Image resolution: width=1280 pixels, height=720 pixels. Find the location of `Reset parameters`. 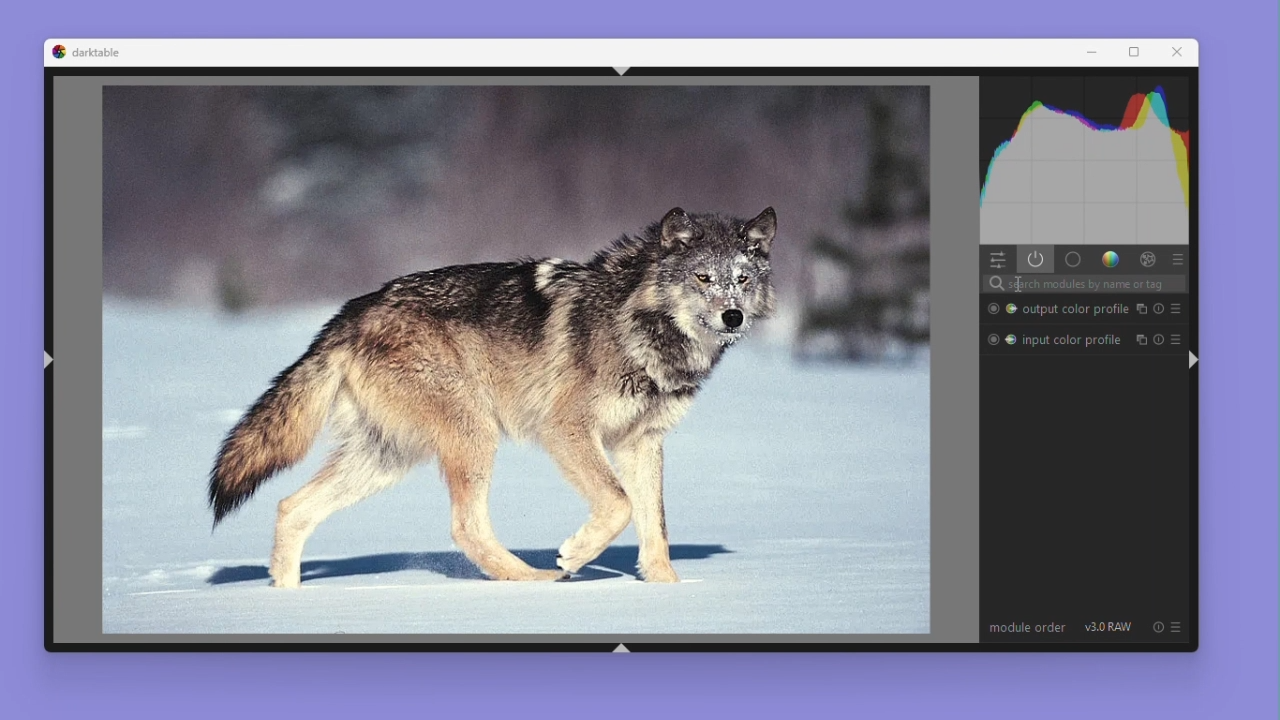

Reset parameters is located at coordinates (1158, 310).